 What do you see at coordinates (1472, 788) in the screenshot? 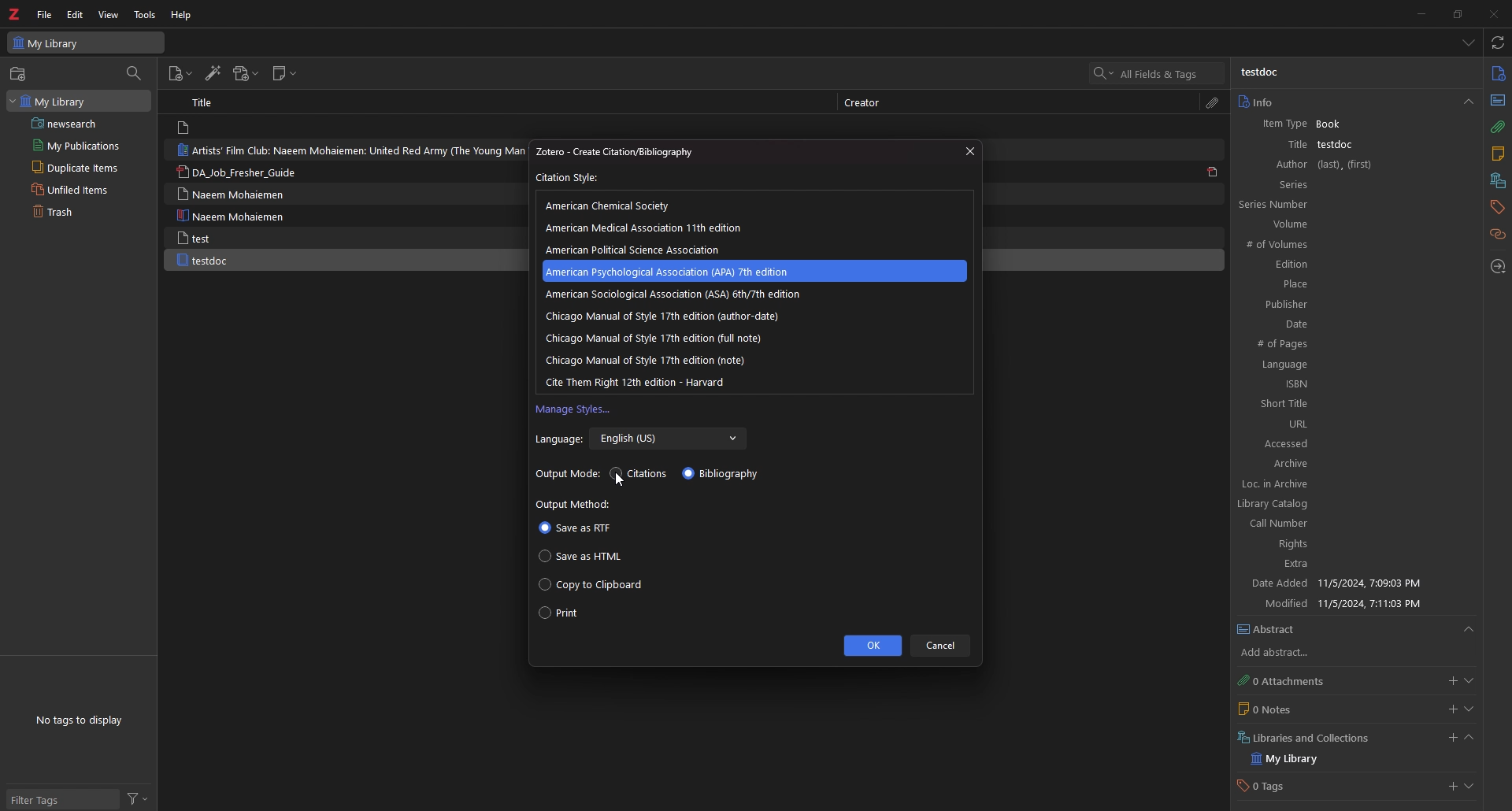
I see `show` at bounding box center [1472, 788].